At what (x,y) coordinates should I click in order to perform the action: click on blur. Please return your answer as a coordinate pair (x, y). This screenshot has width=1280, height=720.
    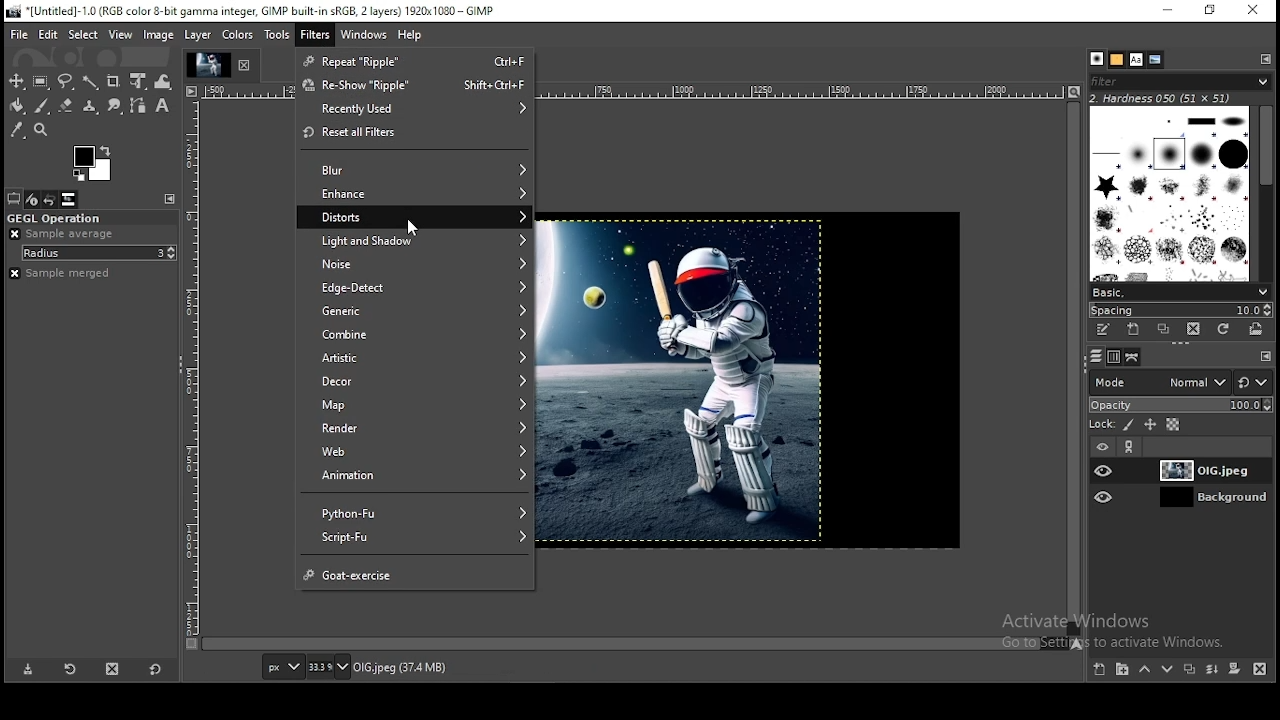
    Looking at the image, I should click on (426, 168).